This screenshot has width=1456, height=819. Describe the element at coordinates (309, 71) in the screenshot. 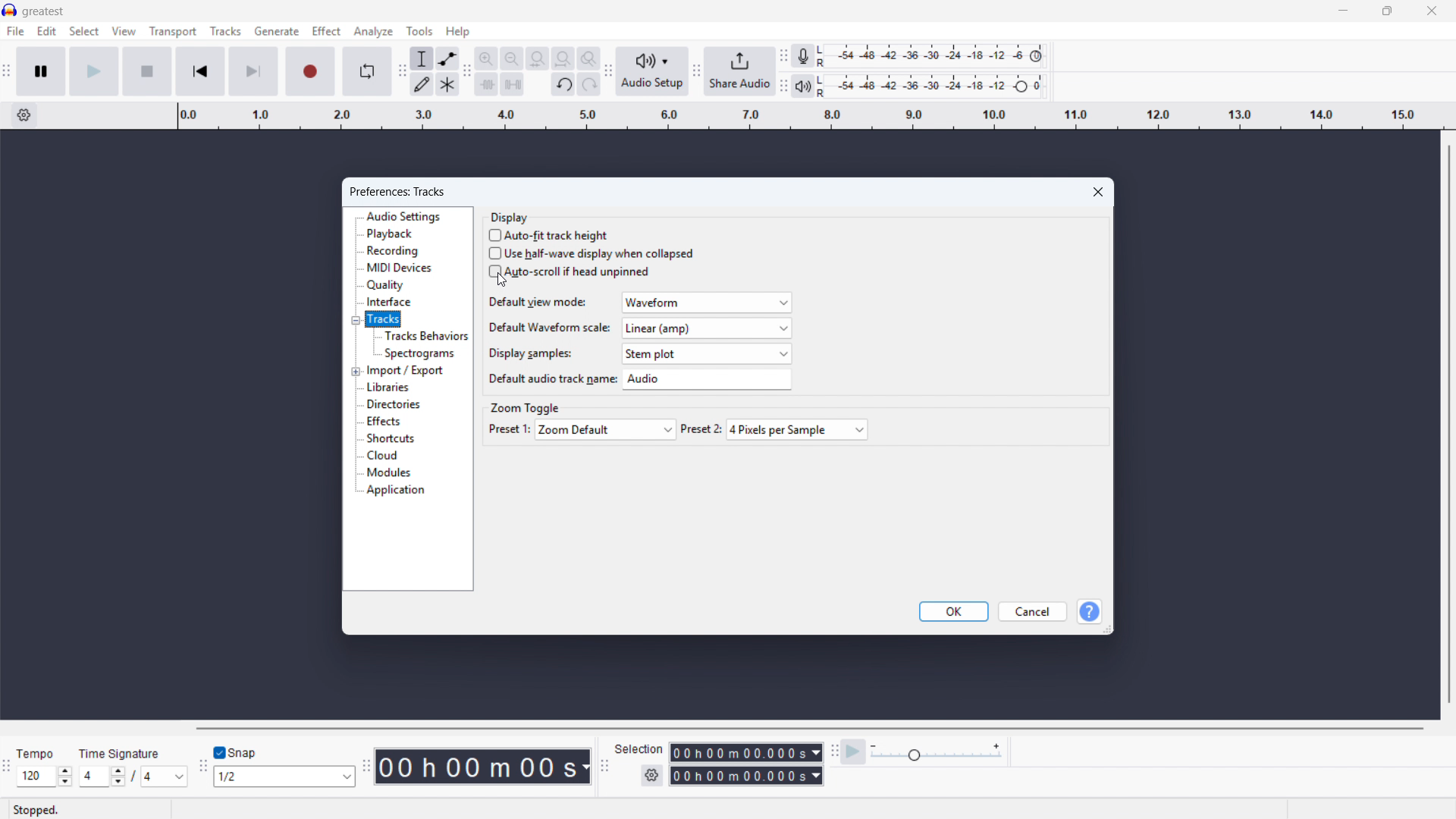

I see `Record ` at that location.